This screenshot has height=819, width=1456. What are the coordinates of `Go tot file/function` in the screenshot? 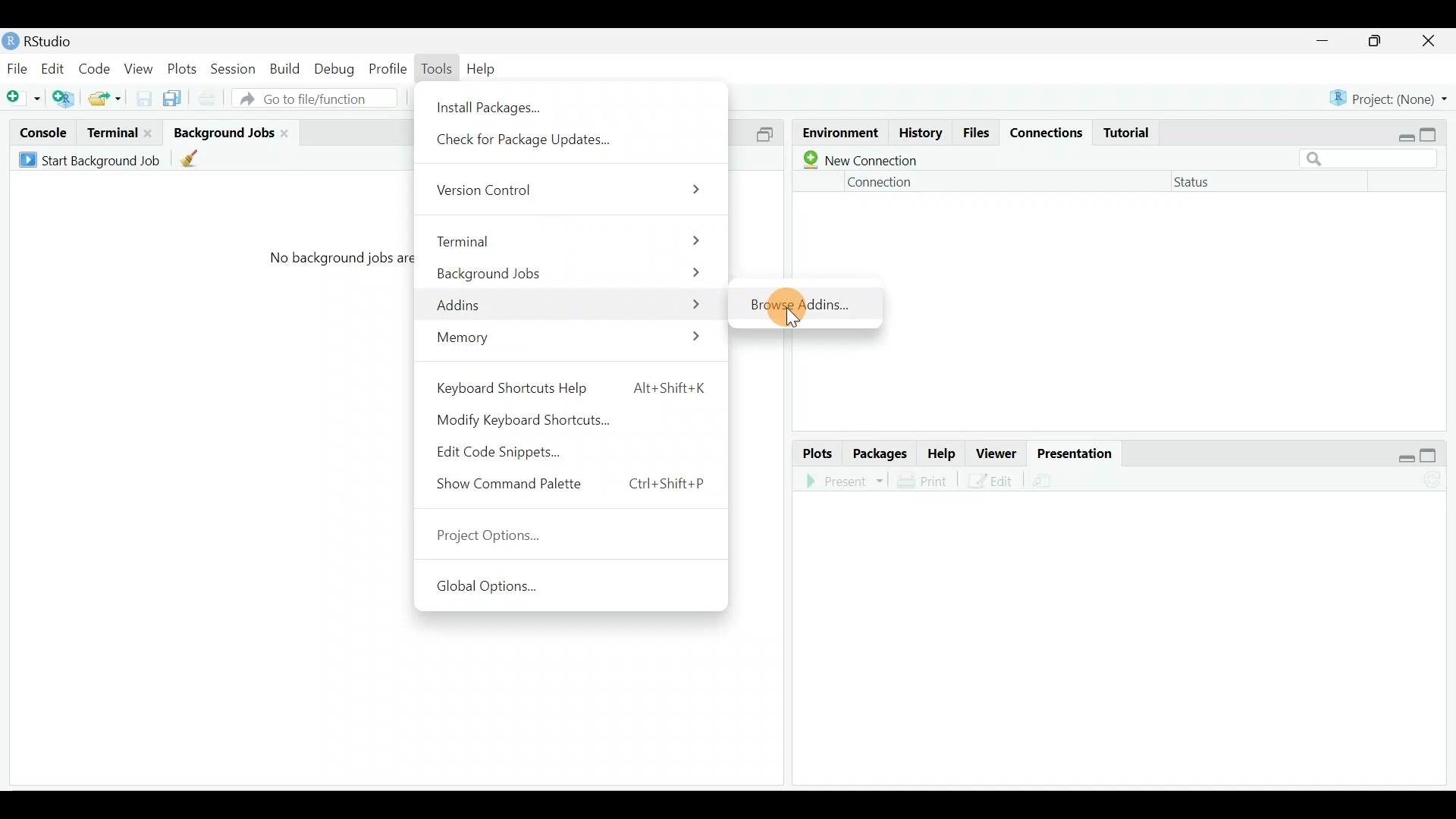 It's located at (319, 99).